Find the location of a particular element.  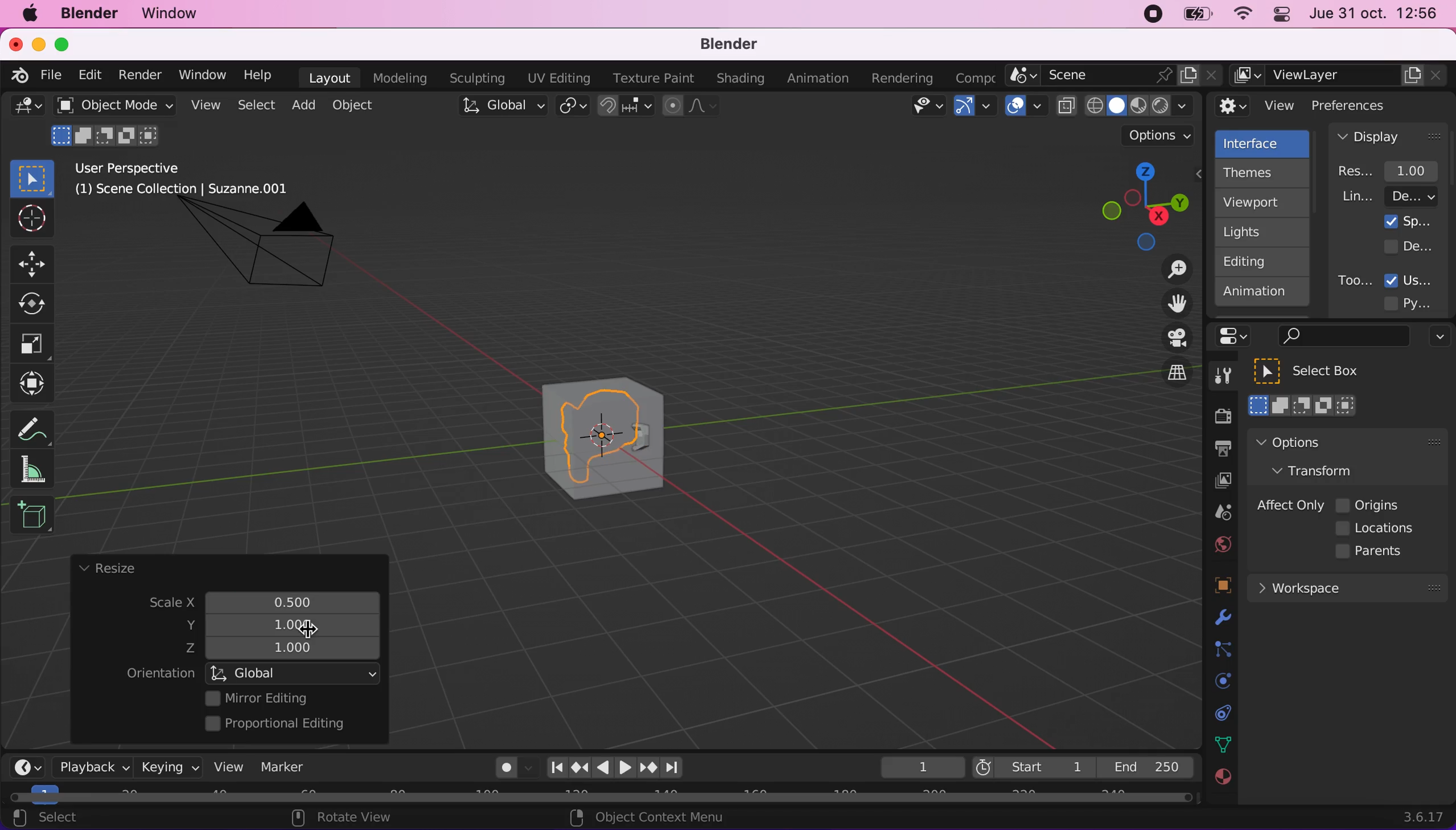

animation is located at coordinates (1263, 295).